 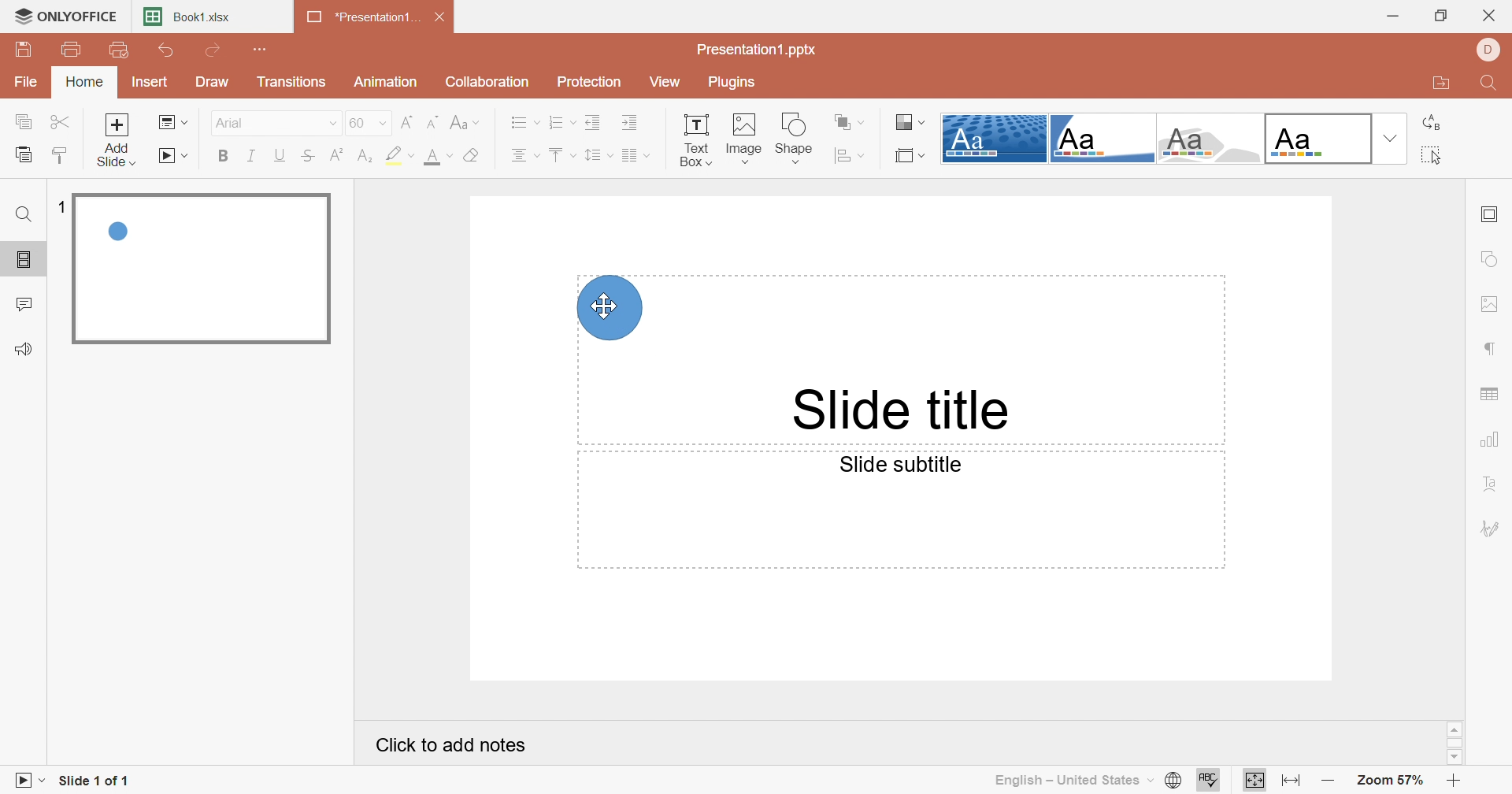 What do you see at coordinates (1428, 156) in the screenshot?
I see `Select all` at bounding box center [1428, 156].